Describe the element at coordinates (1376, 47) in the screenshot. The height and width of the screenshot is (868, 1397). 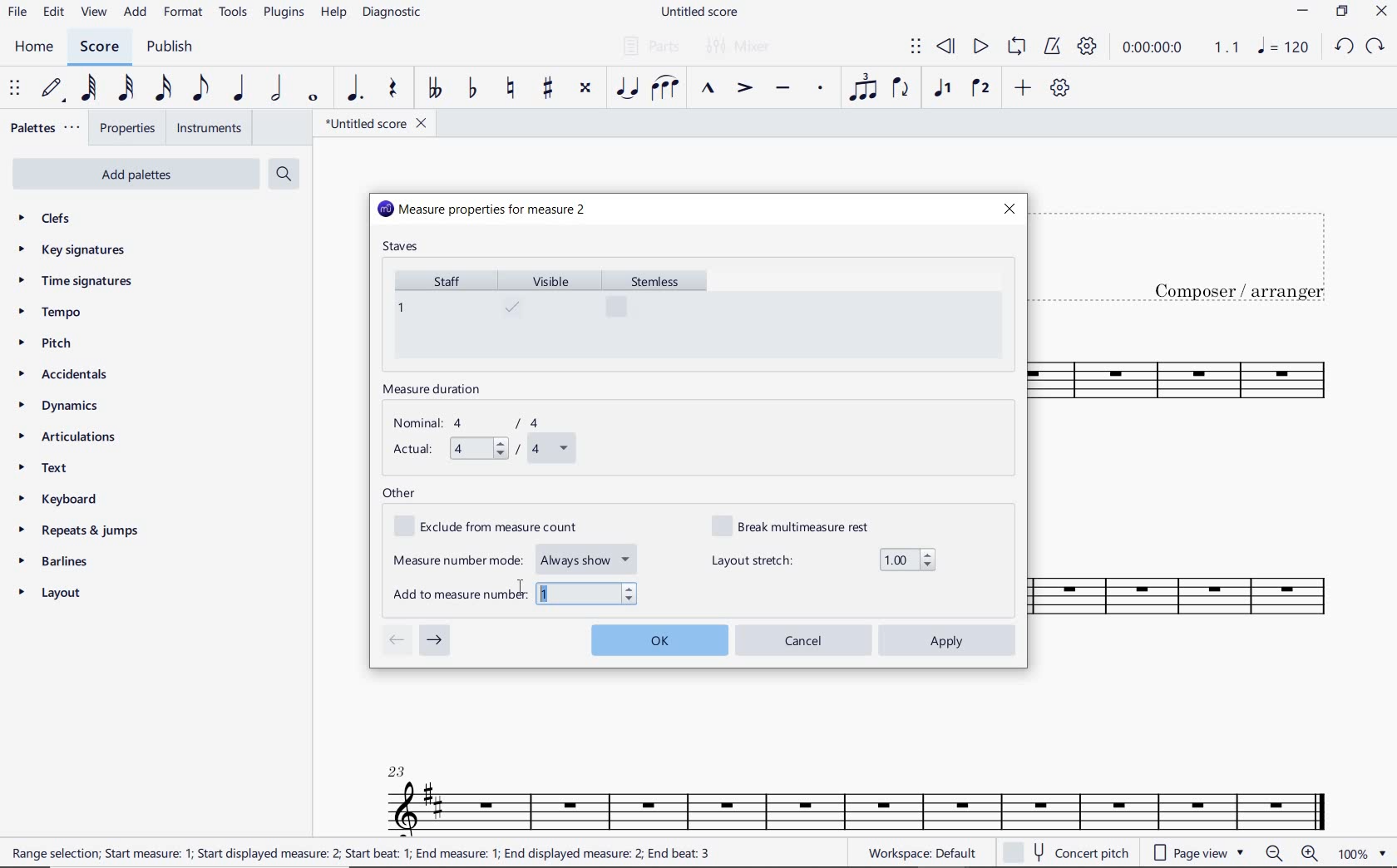
I see `REDO` at that location.